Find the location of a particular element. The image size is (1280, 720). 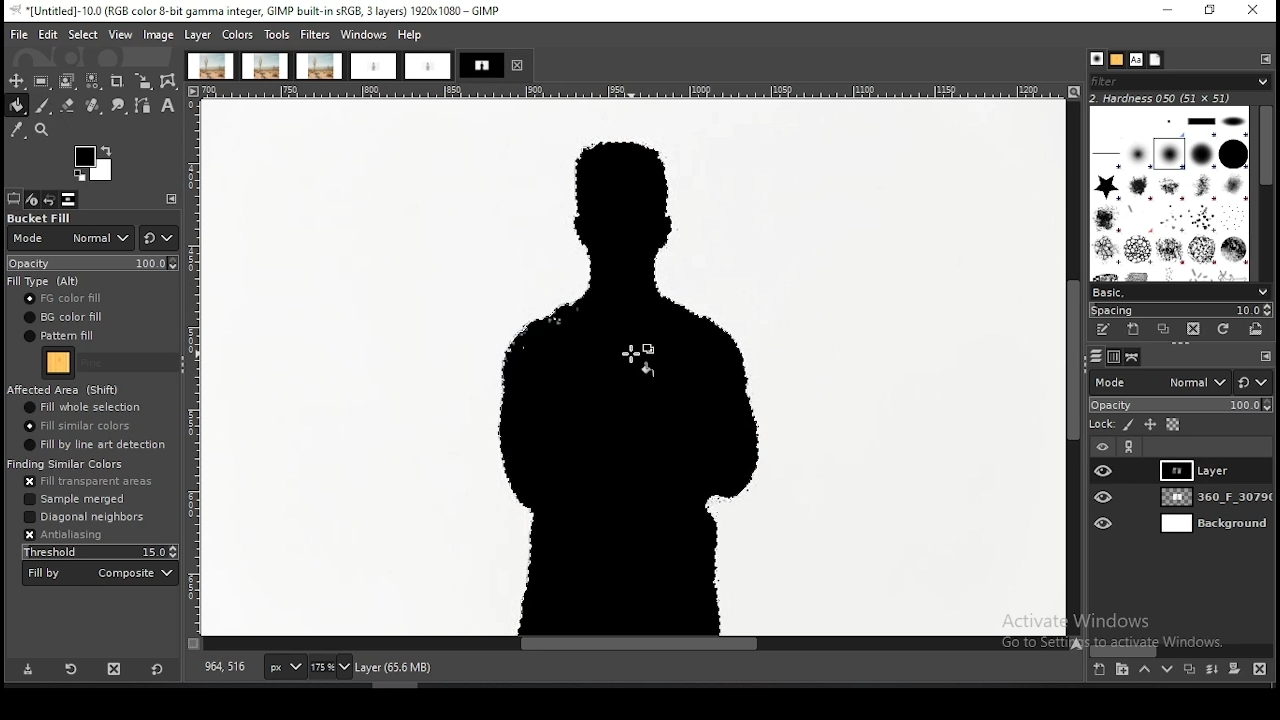

colors is located at coordinates (95, 164).